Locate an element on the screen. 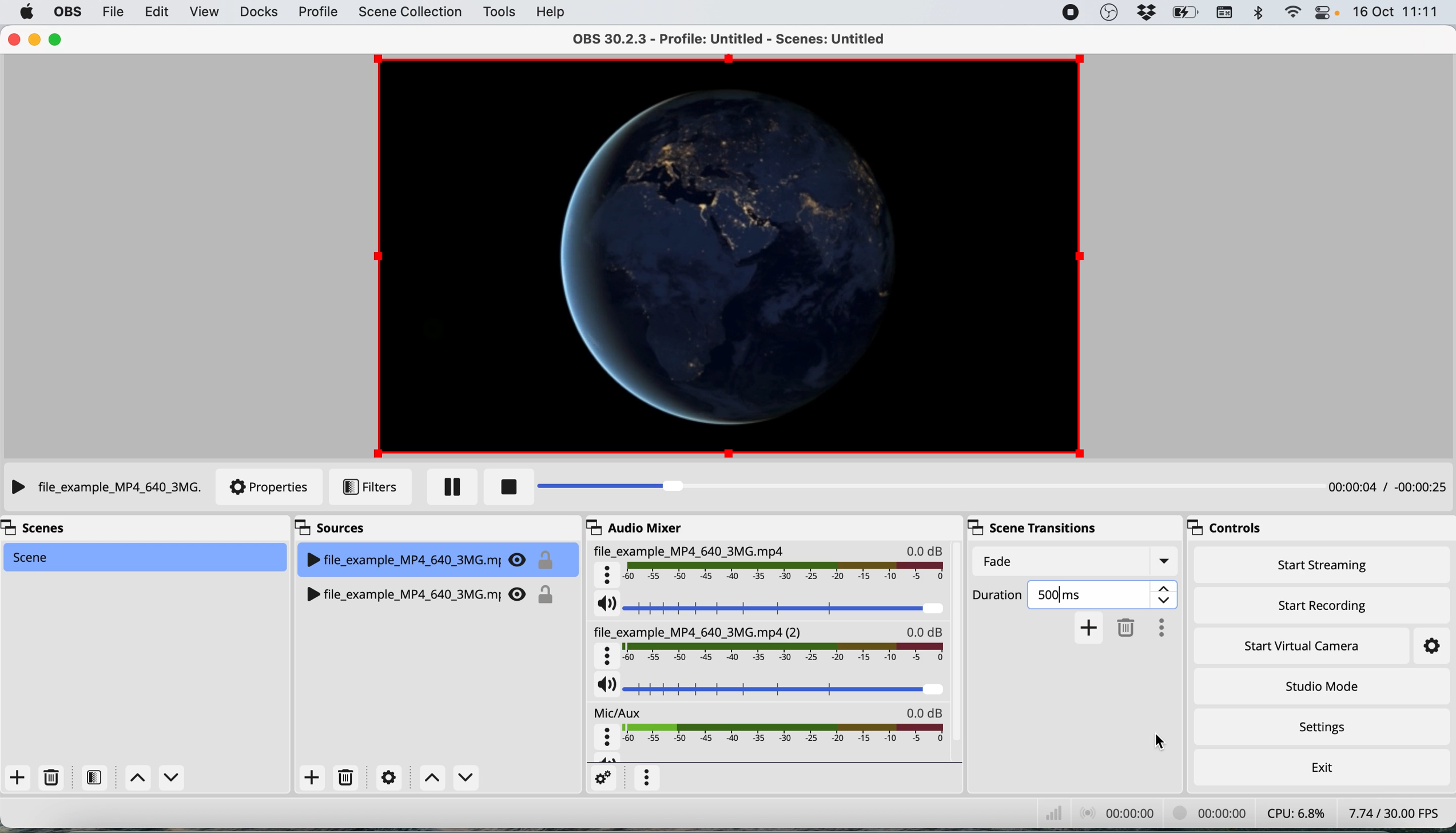 Image resolution: width=1456 pixels, height=833 pixels. file is located at coordinates (112, 13).